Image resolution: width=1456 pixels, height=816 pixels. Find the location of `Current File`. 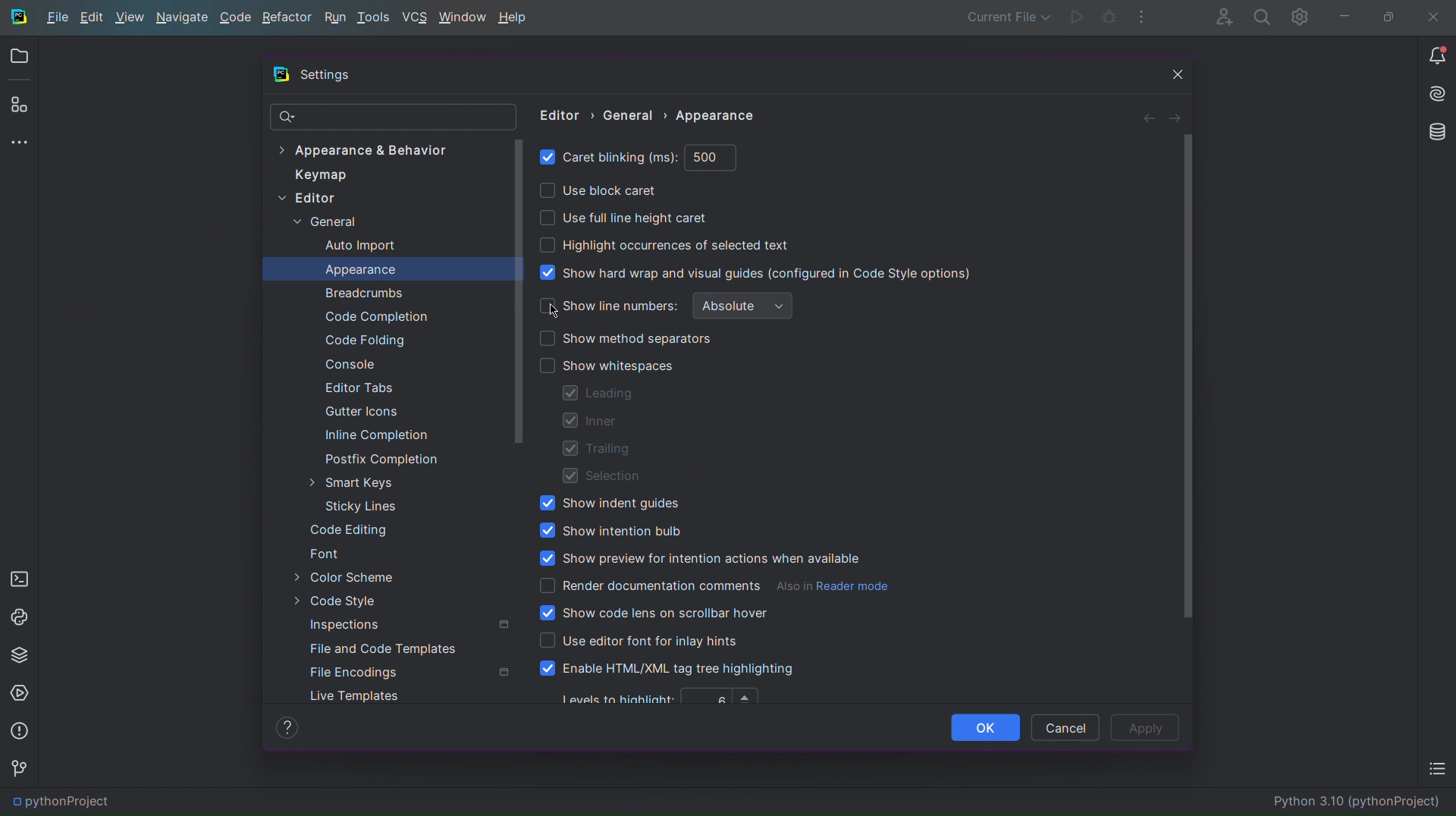

Current File is located at coordinates (1006, 17).